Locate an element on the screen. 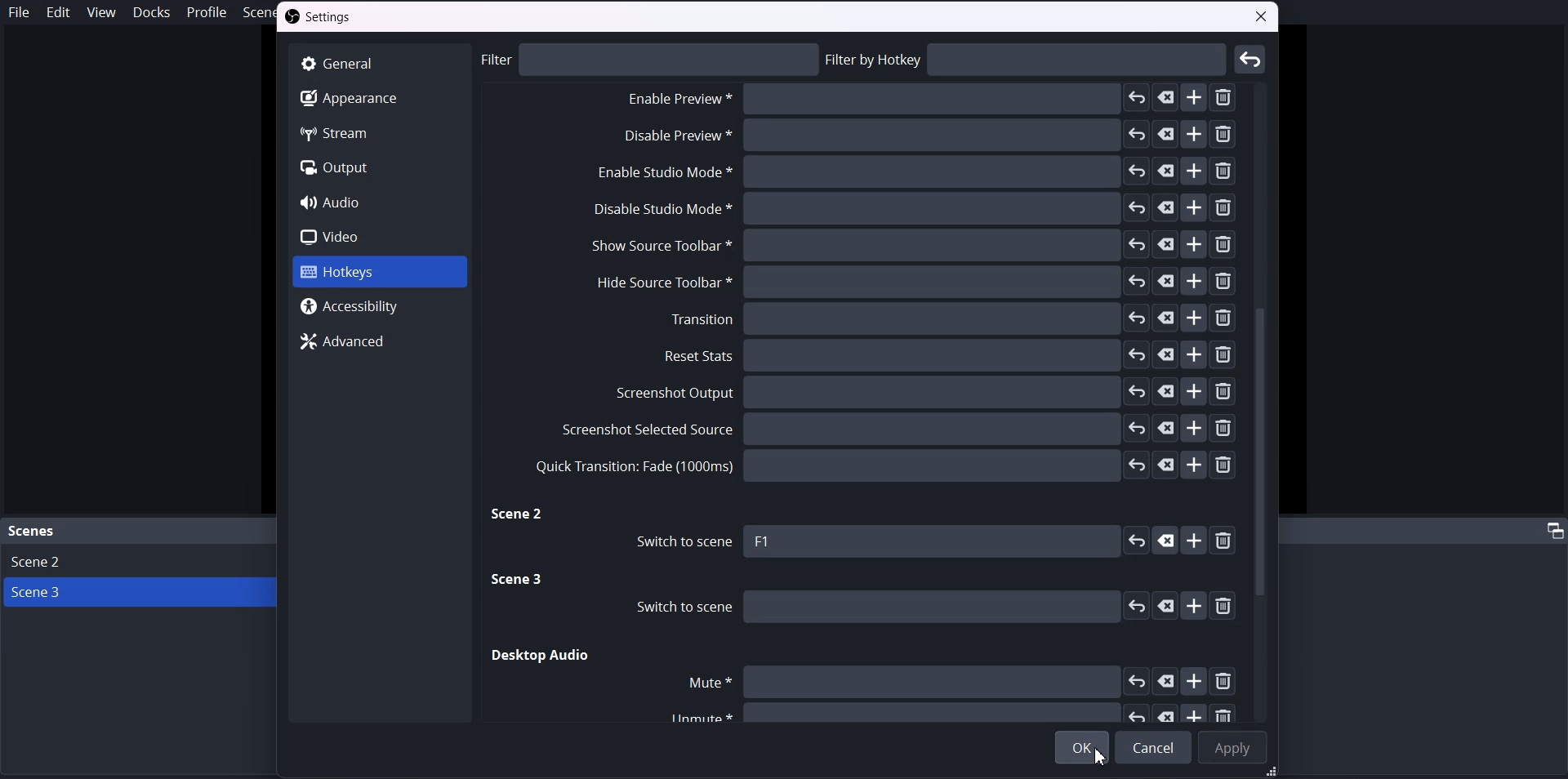 The height and width of the screenshot is (779, 1568). mute is located at coordinates (958, 681).